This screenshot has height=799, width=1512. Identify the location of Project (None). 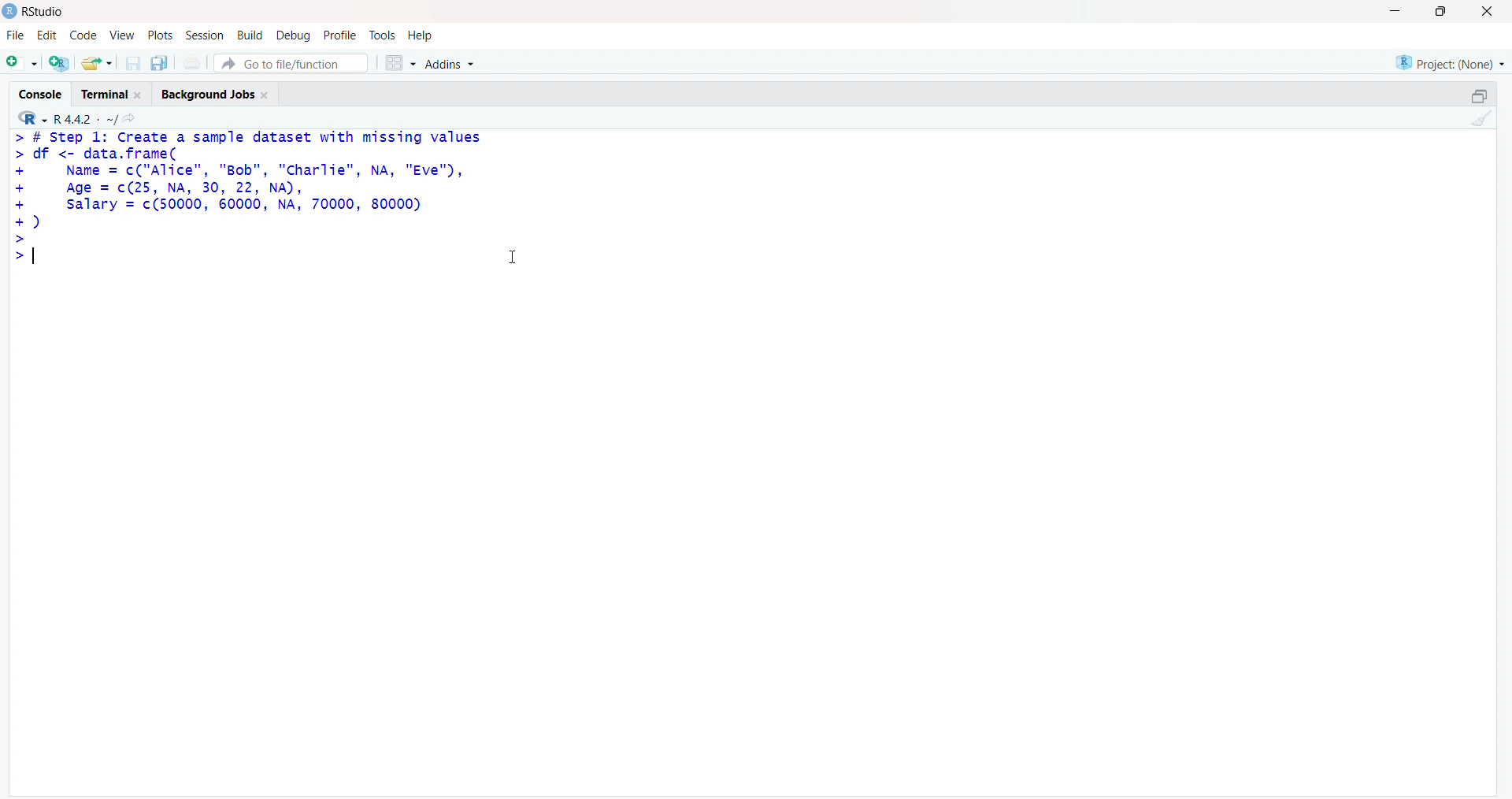
(1449, 62).